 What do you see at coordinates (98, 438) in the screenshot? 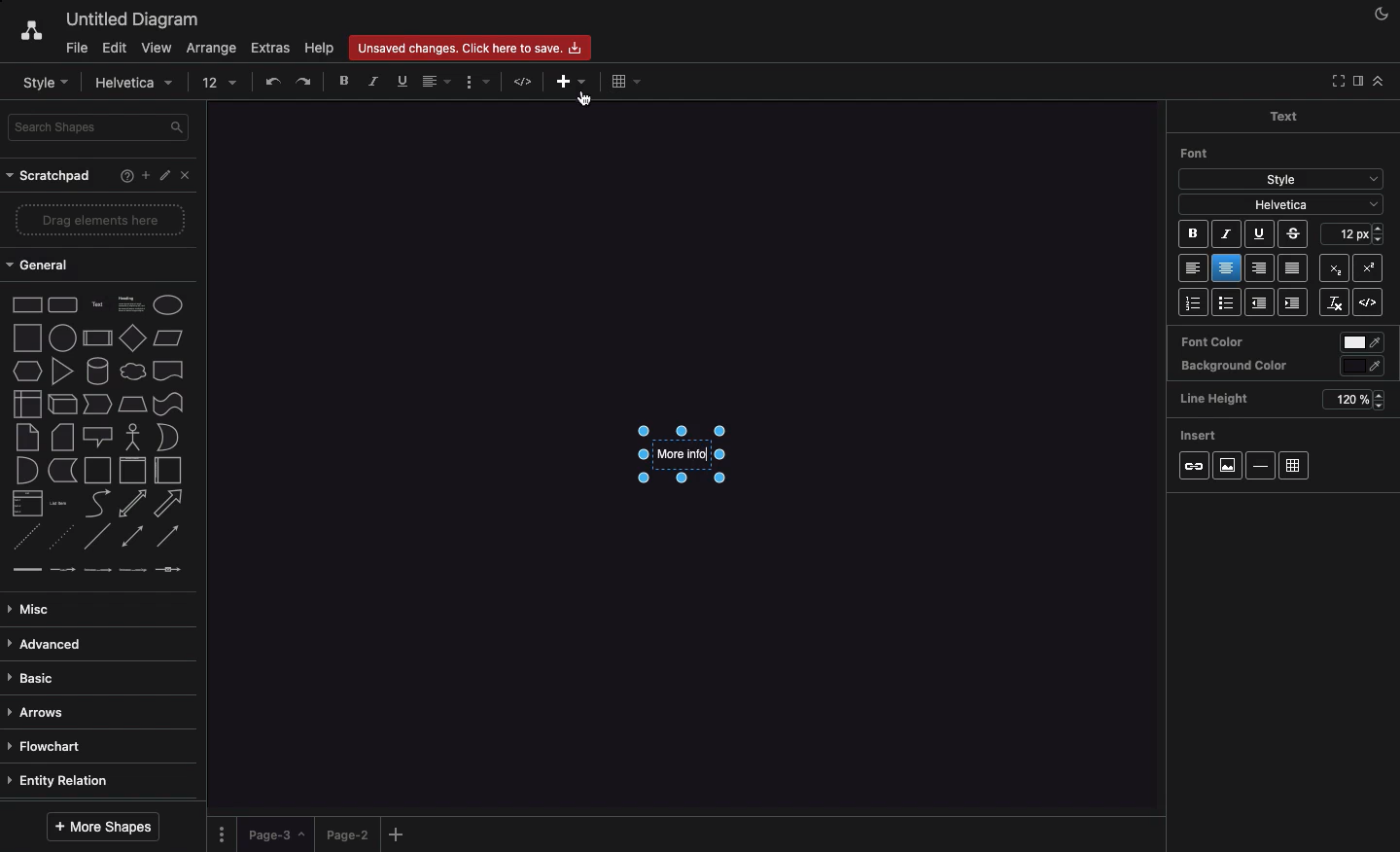
I see `callout` at bounding box center [98, 438].